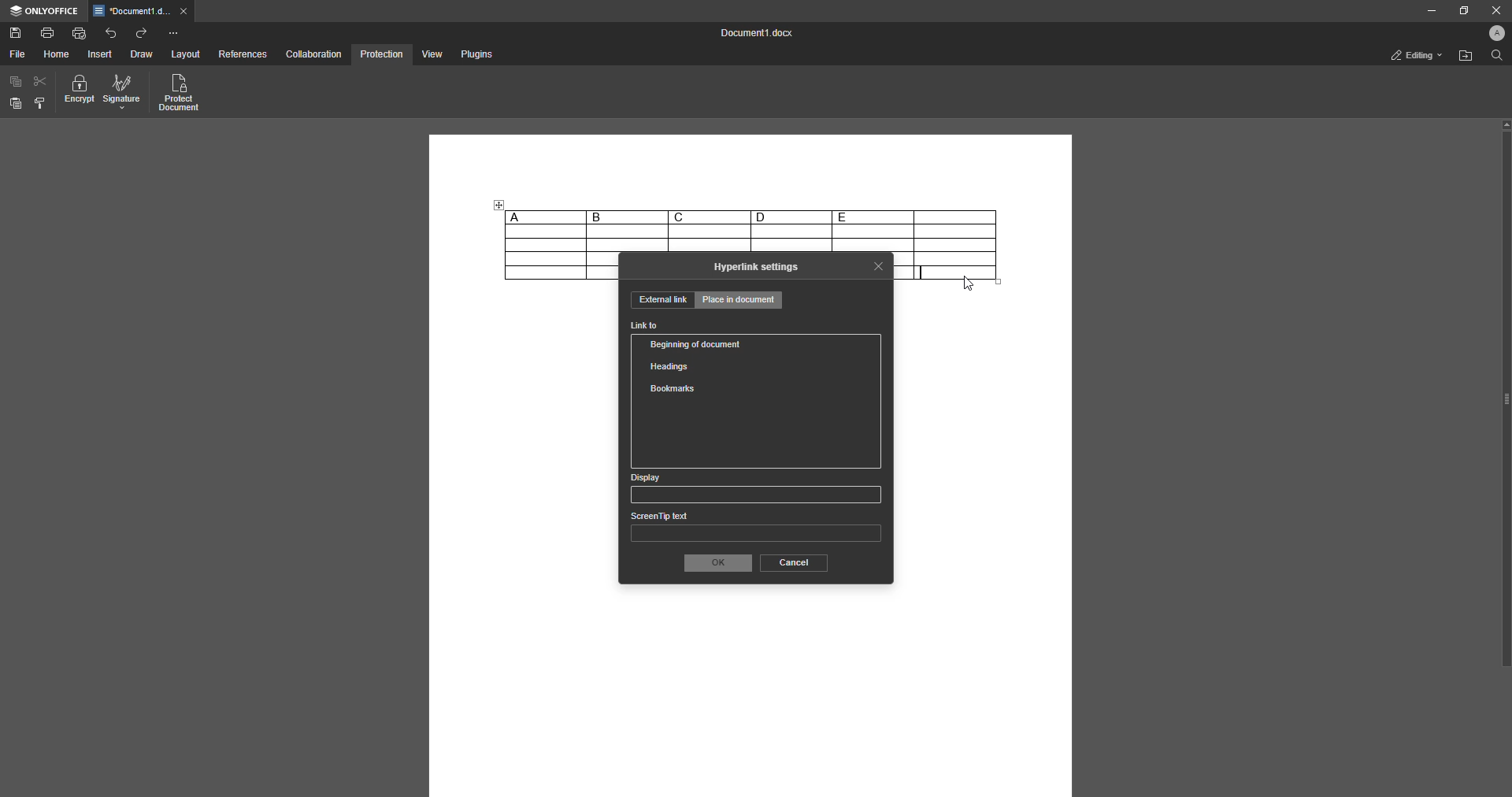 This screenshot has height=797, width=1512. What do you see at coordinates (475, 55) in the screenshot?
I see `Plugins` at bounding box center [475, 55].